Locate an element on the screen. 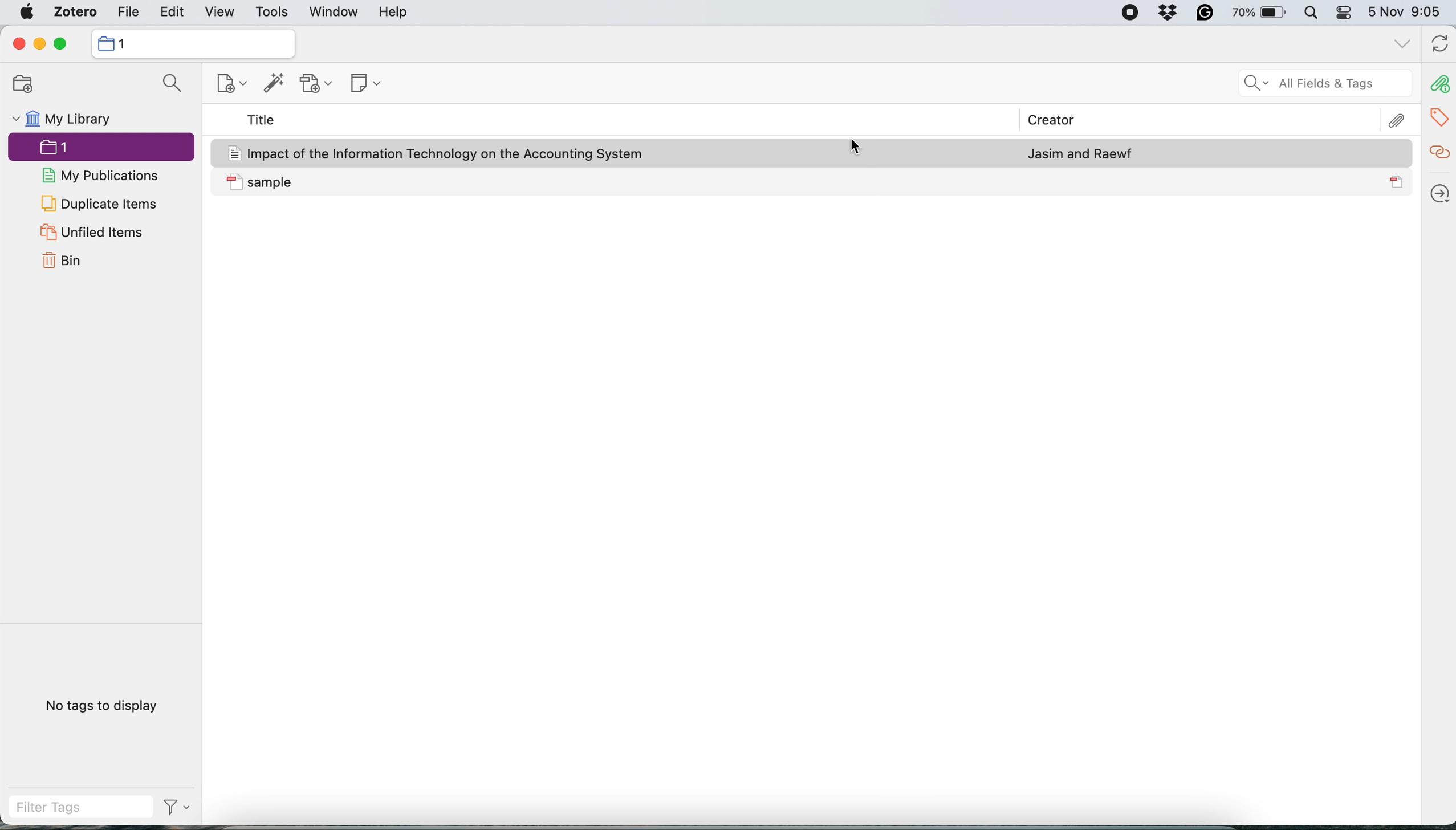 The height and width of the screenshot is (830, 1456). cursor is located at coordinates (857, 146).